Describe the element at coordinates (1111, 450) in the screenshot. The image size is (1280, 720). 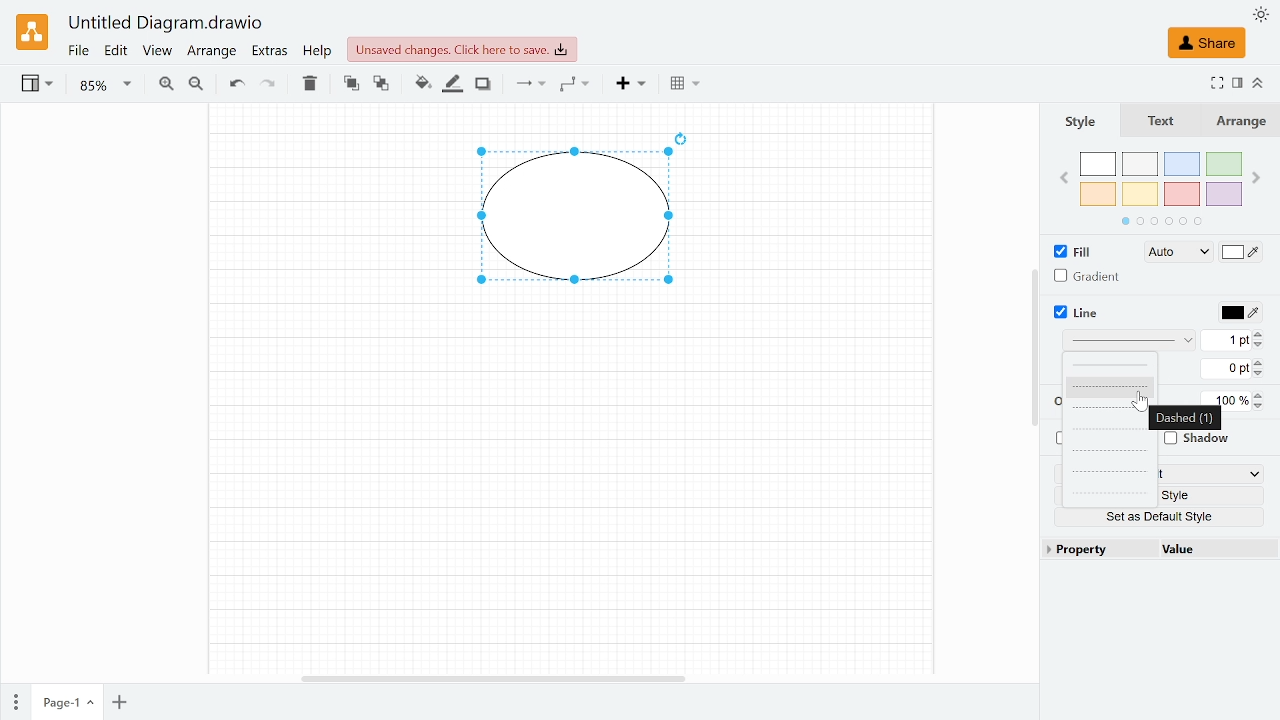
I see `dotted  1` at that location.